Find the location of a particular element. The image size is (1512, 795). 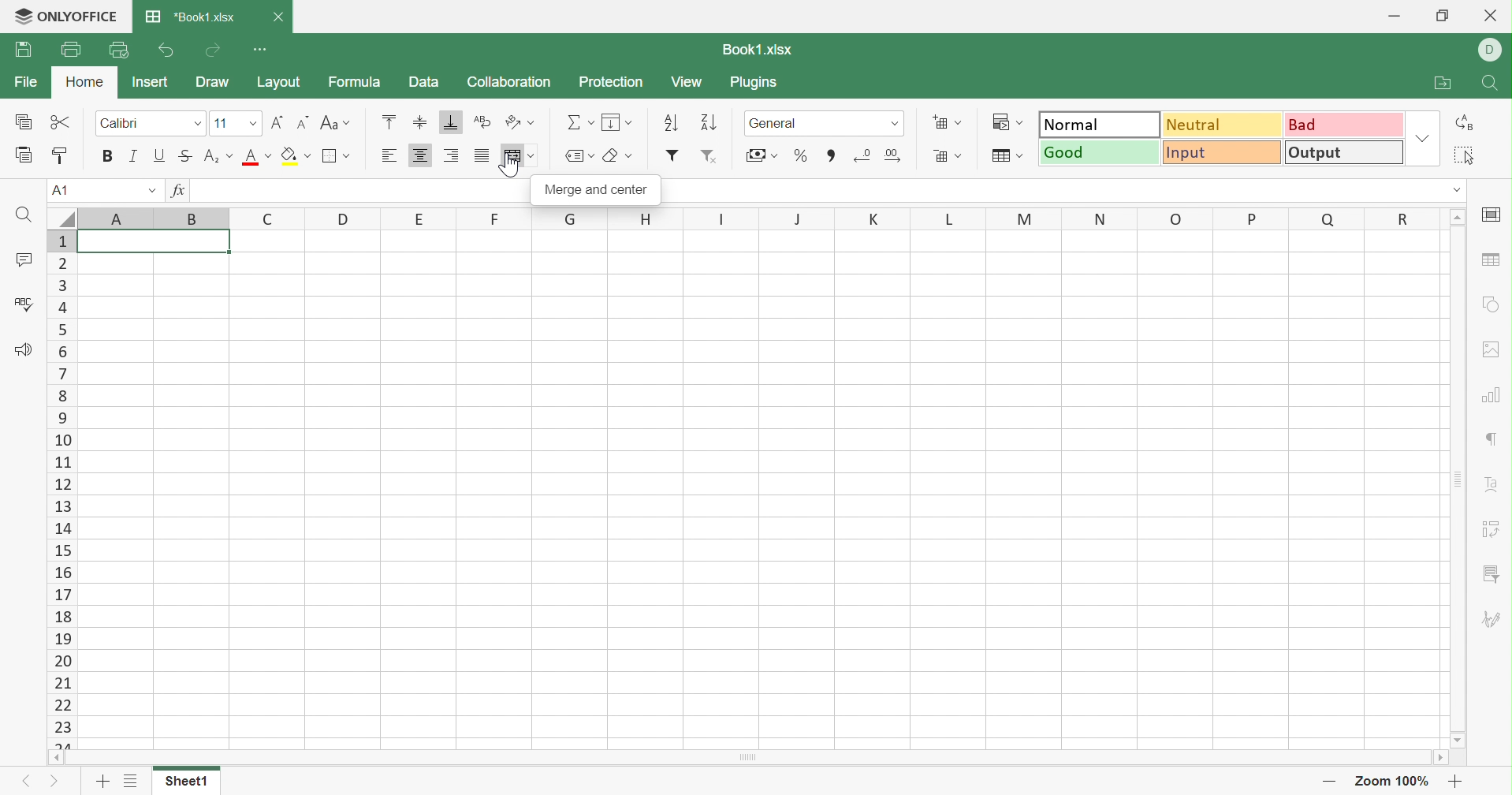

Align Top is located at coordinates (385, 121).